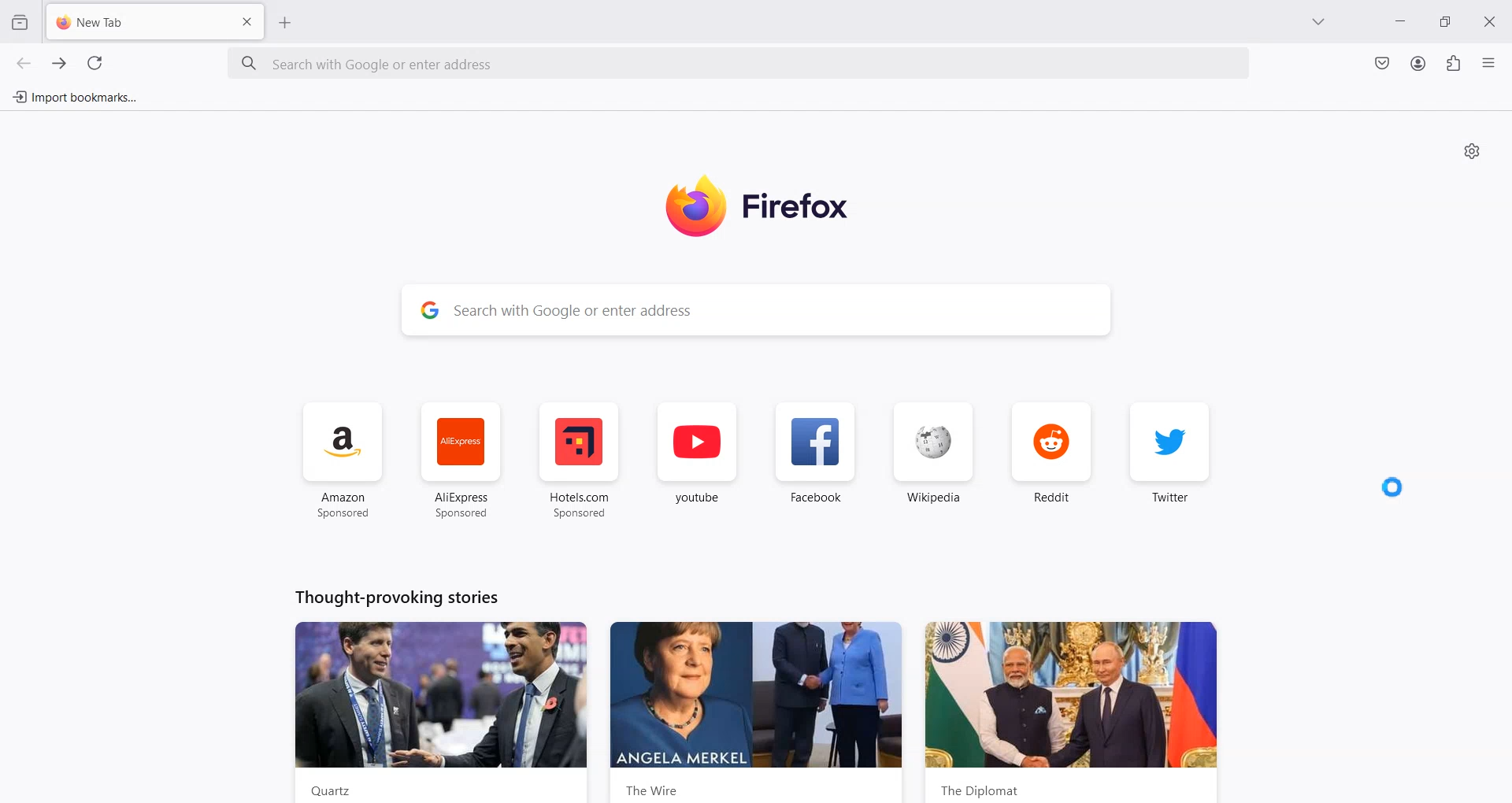 The height and width of the screenshot is (803, 1512). What do you see at coordinates (94, 64) in the screenshot?
I see `Refresh` at bounding box center [94, 64].